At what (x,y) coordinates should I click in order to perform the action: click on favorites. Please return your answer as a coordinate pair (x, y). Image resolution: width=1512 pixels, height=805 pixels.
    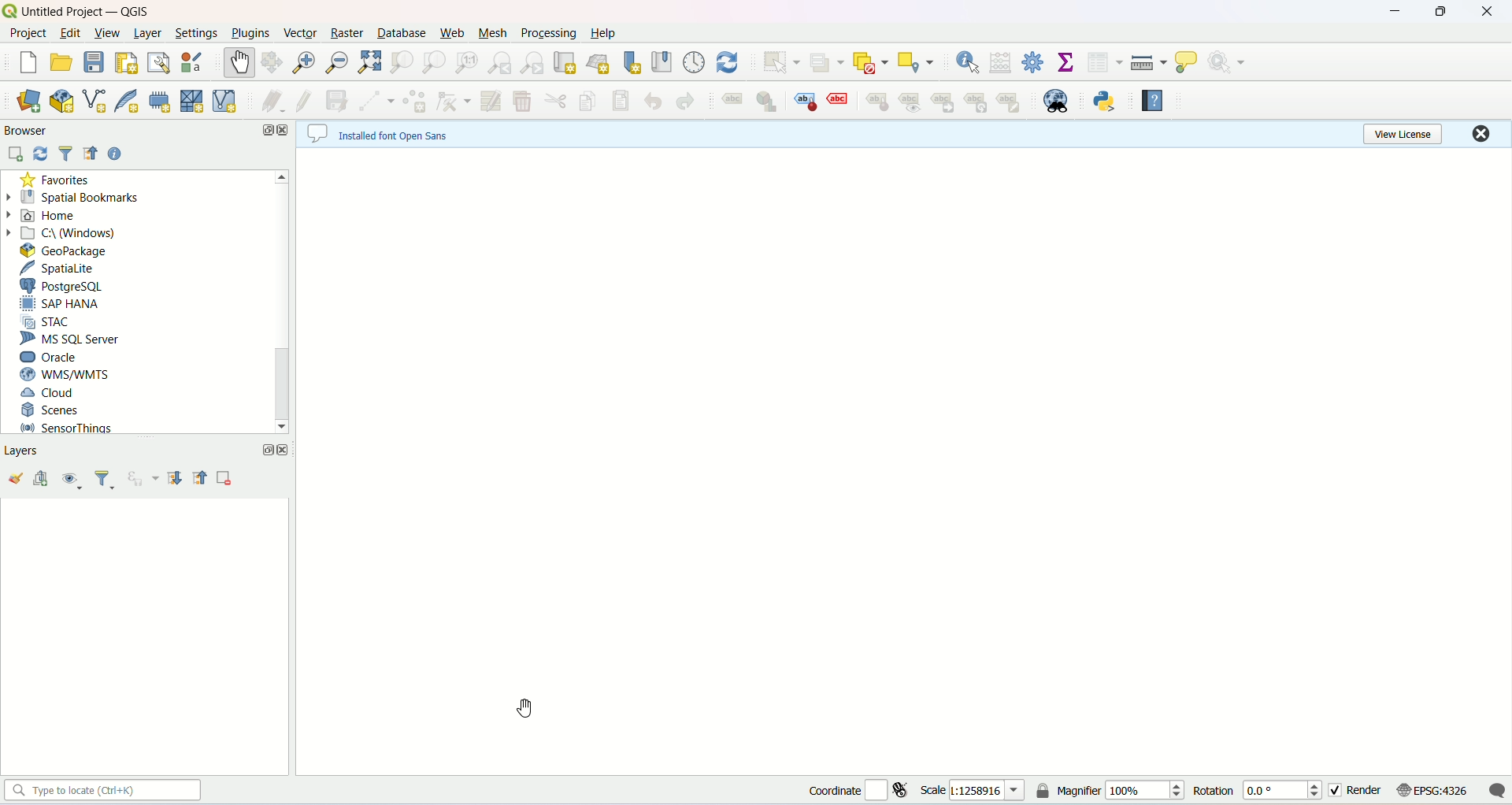
    Looking at the image, I should click on (52, 179).